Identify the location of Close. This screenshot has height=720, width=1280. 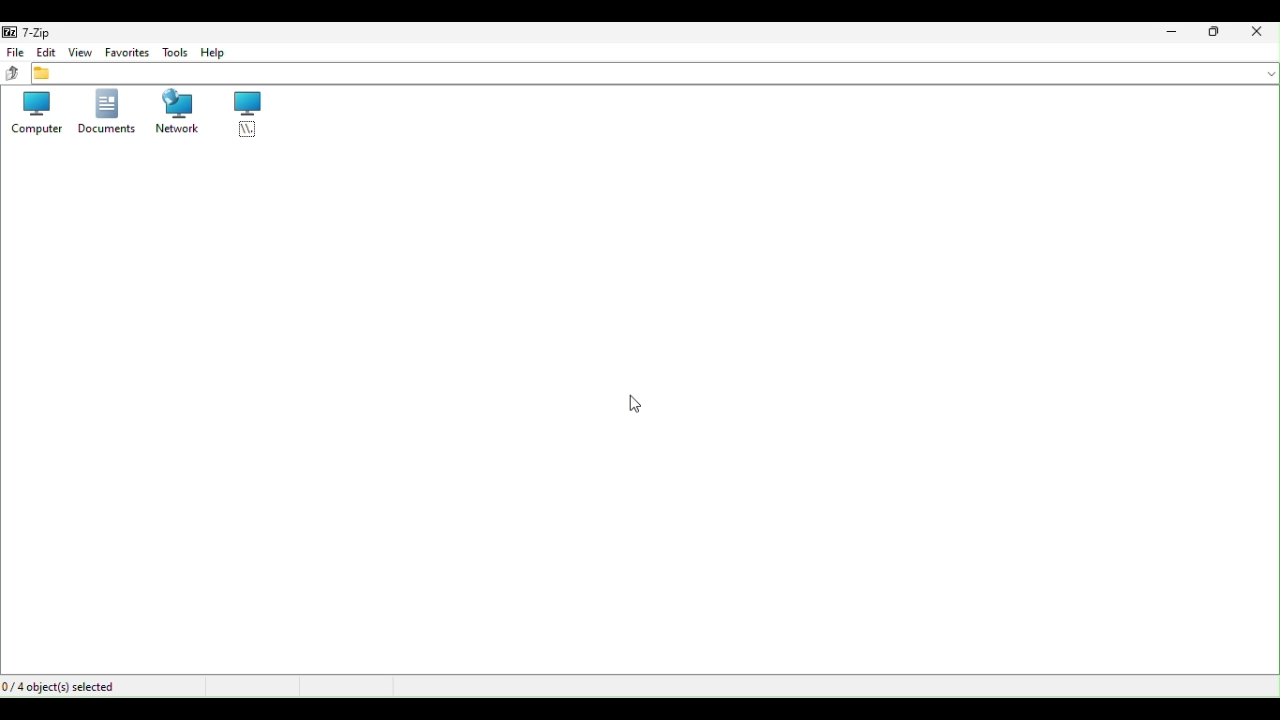
(1259, 31).